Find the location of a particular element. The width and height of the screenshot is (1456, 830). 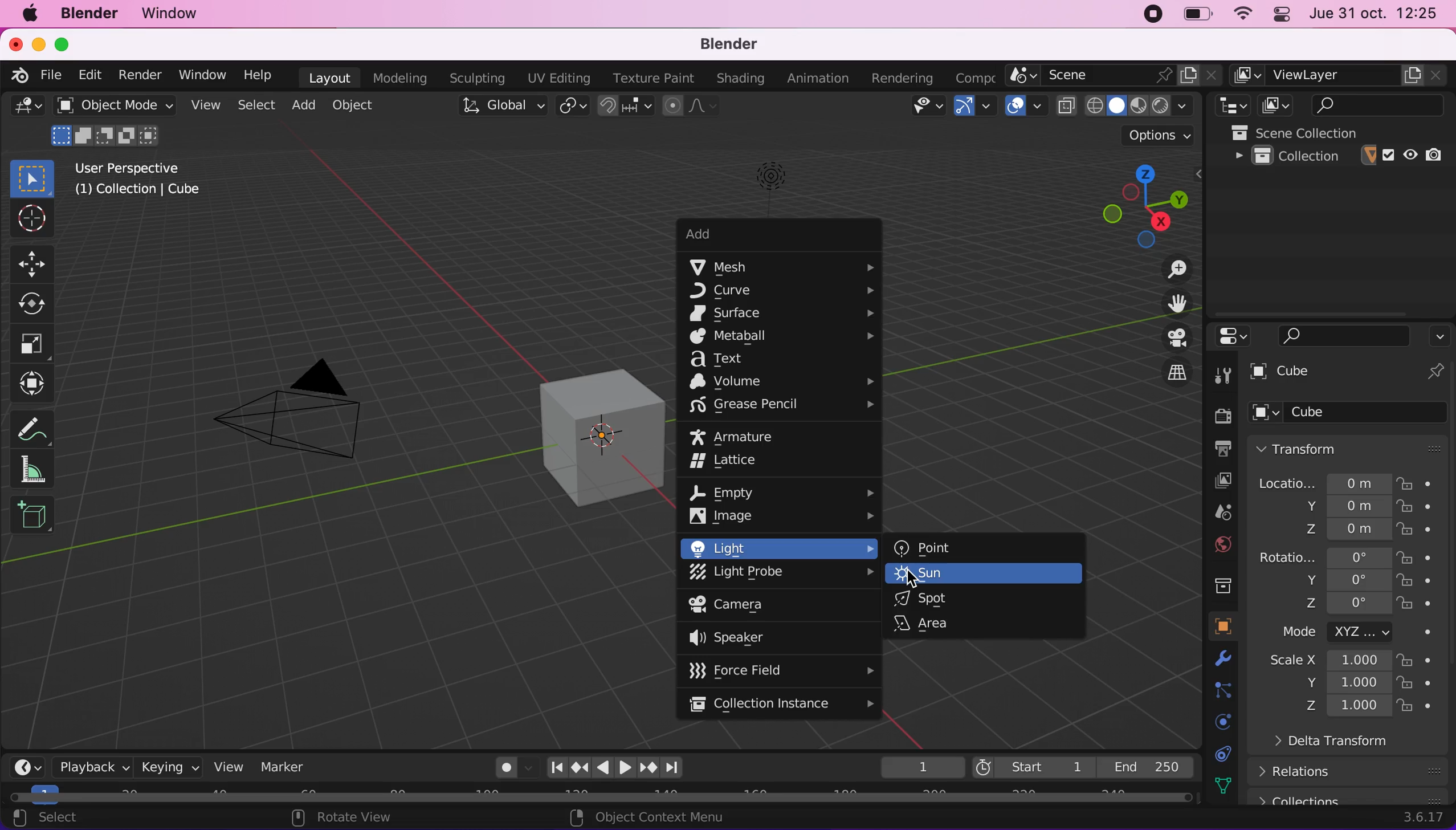

mac logo is located at coordinates (31, 16).